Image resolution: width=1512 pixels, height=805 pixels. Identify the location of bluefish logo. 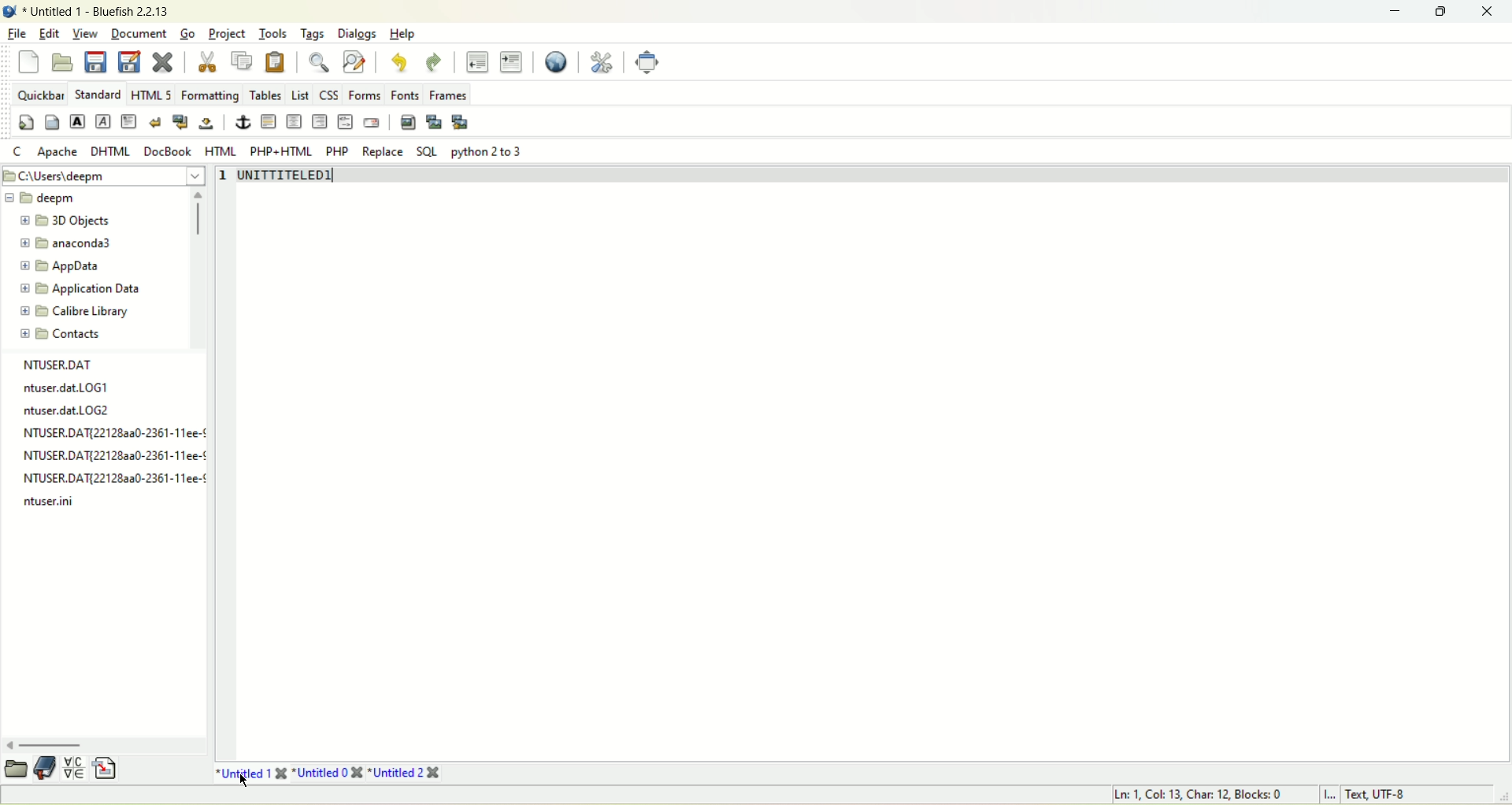
(9, 10).